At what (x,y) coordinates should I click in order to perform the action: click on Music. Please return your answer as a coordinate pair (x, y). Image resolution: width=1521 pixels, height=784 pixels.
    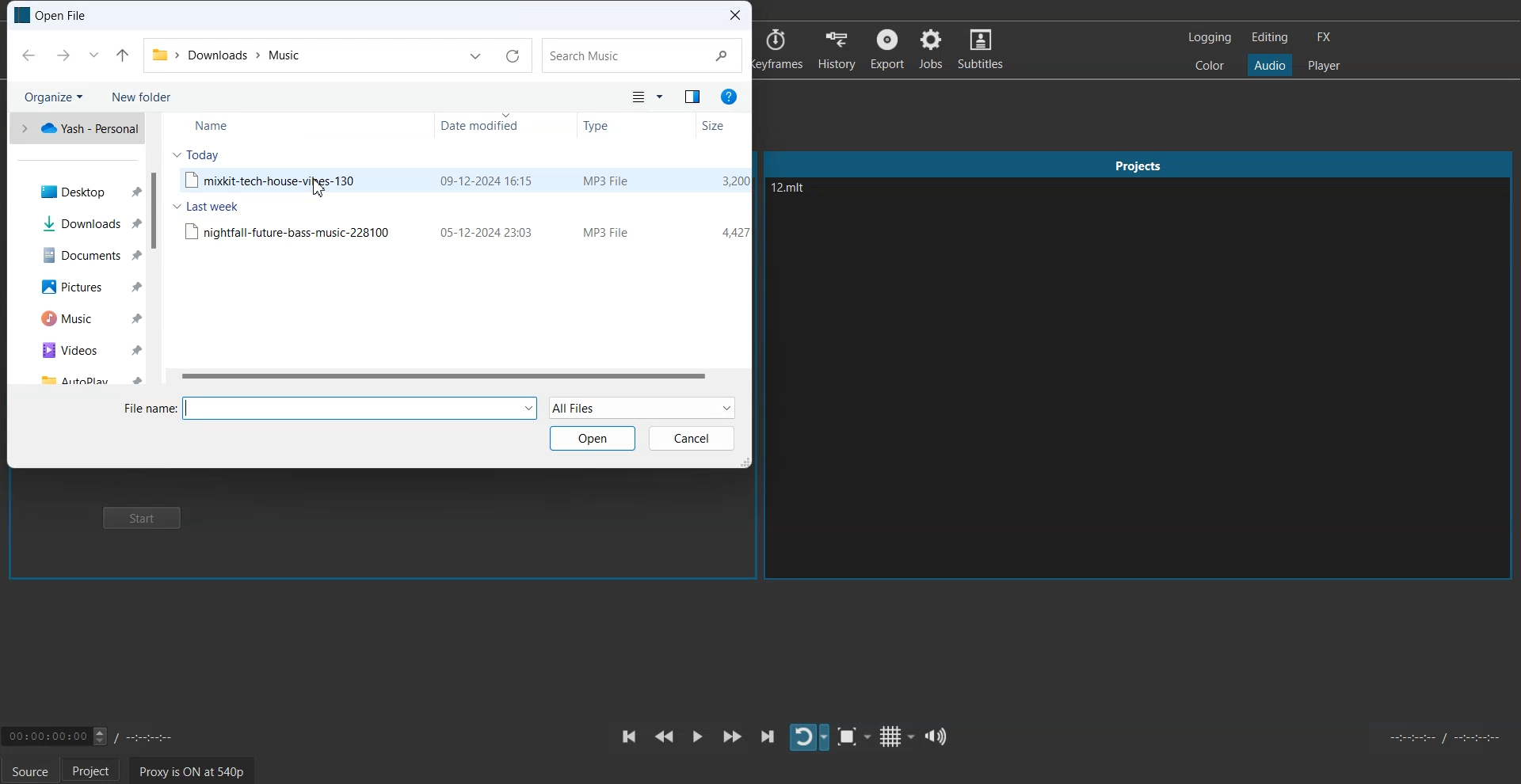
    Looking at the image, I should click on (74, 319).